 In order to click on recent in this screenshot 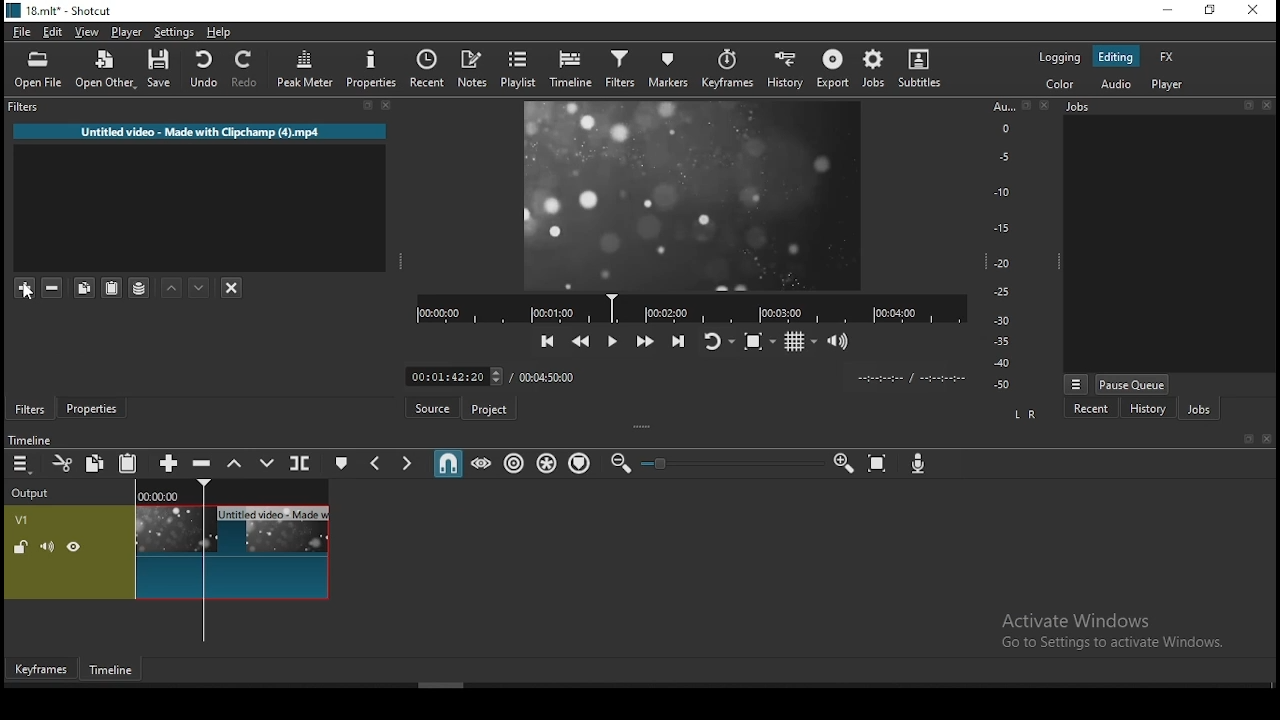, I will do `click(1092, 408)`.